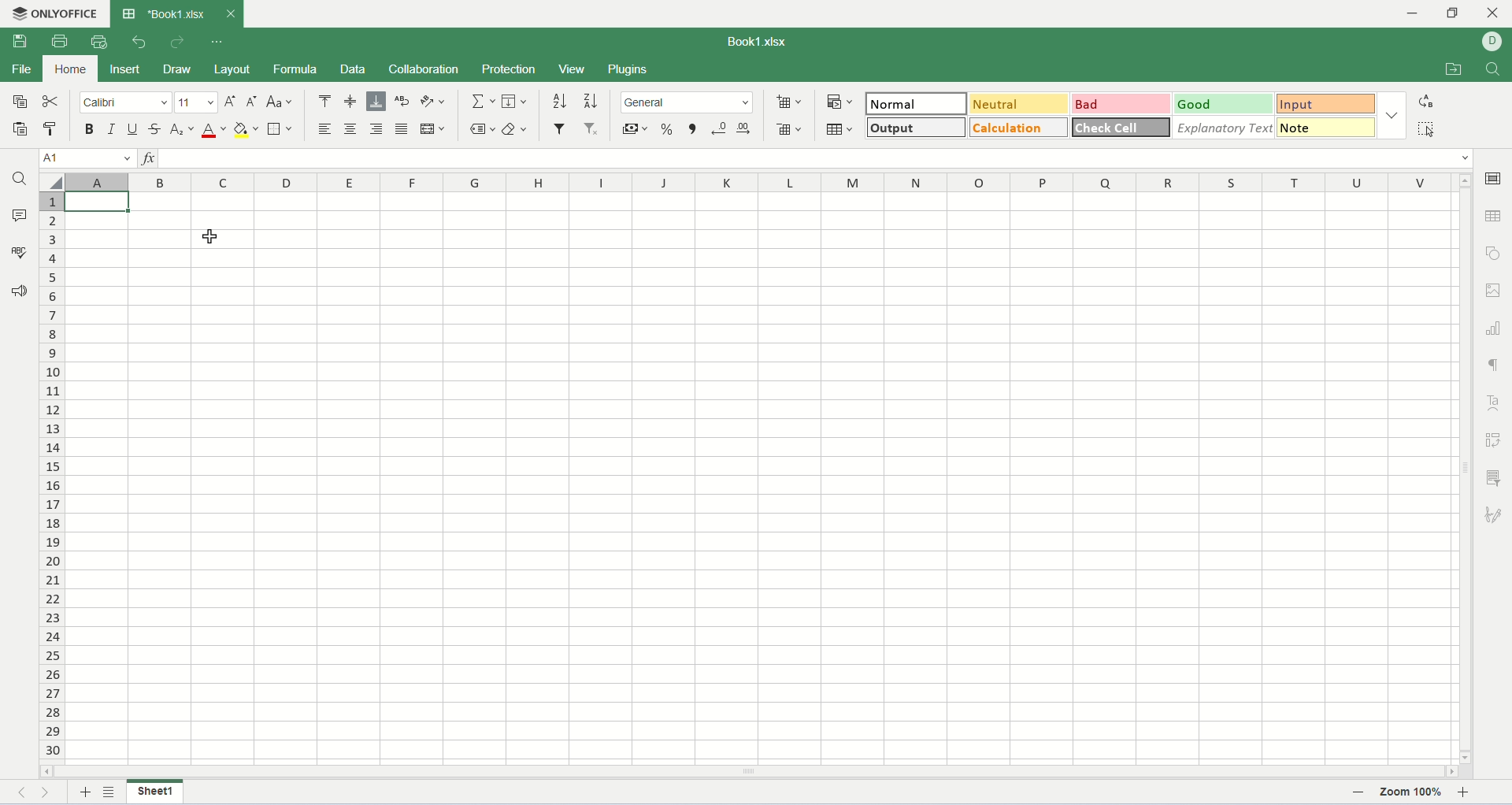  Describe the element at coordinates (281, 101) in the screenshot. I see `change case` at that location.